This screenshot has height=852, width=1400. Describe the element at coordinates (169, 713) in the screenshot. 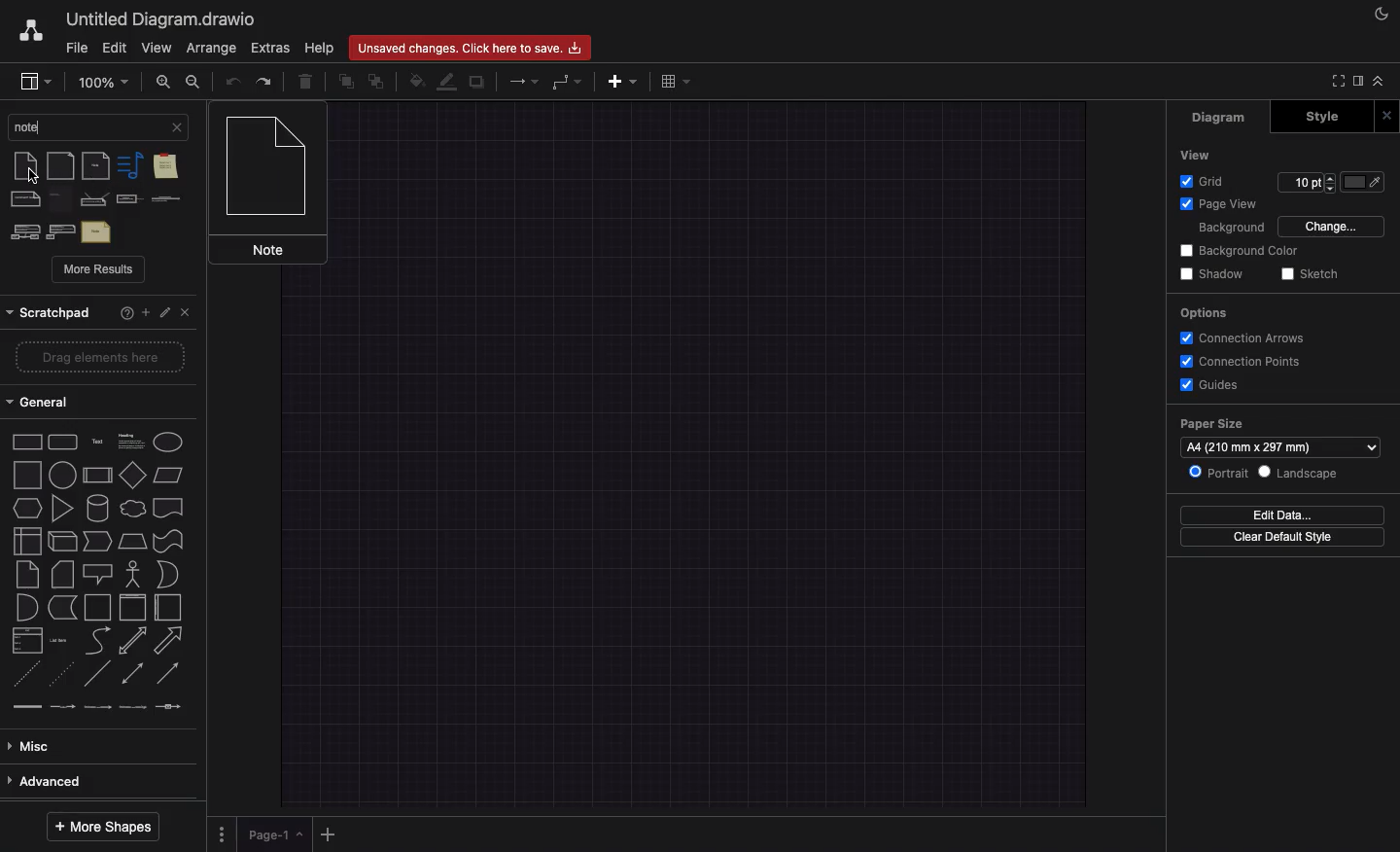

I see `connector with symbol` at that location.